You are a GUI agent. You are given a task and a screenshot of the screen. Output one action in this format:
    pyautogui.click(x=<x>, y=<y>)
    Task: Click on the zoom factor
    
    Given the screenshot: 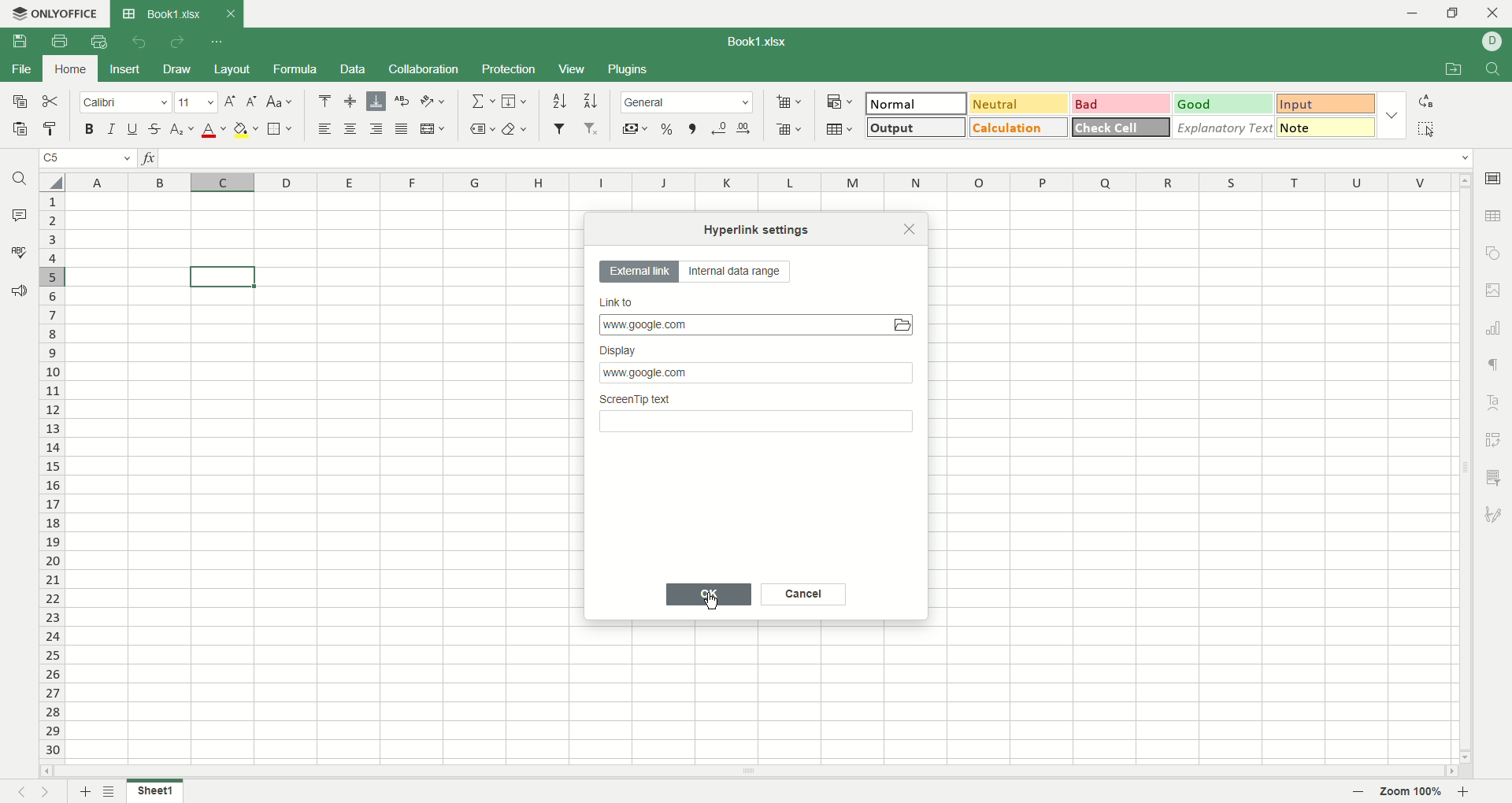 What is the action you would take?
    pyautogui.click(x=1415, y=792)
    